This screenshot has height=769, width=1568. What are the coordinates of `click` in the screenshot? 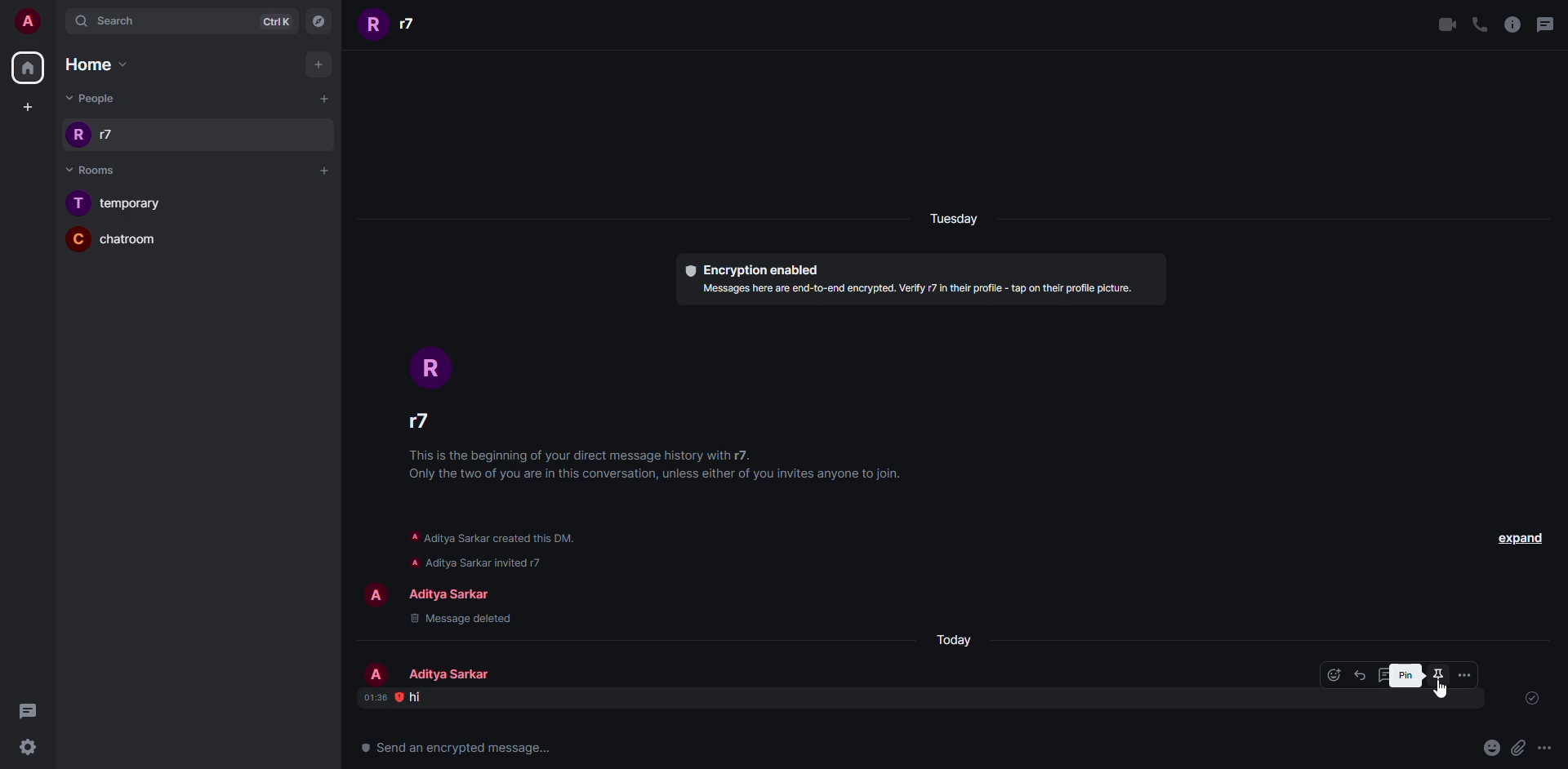 It's located at (1438, 673).